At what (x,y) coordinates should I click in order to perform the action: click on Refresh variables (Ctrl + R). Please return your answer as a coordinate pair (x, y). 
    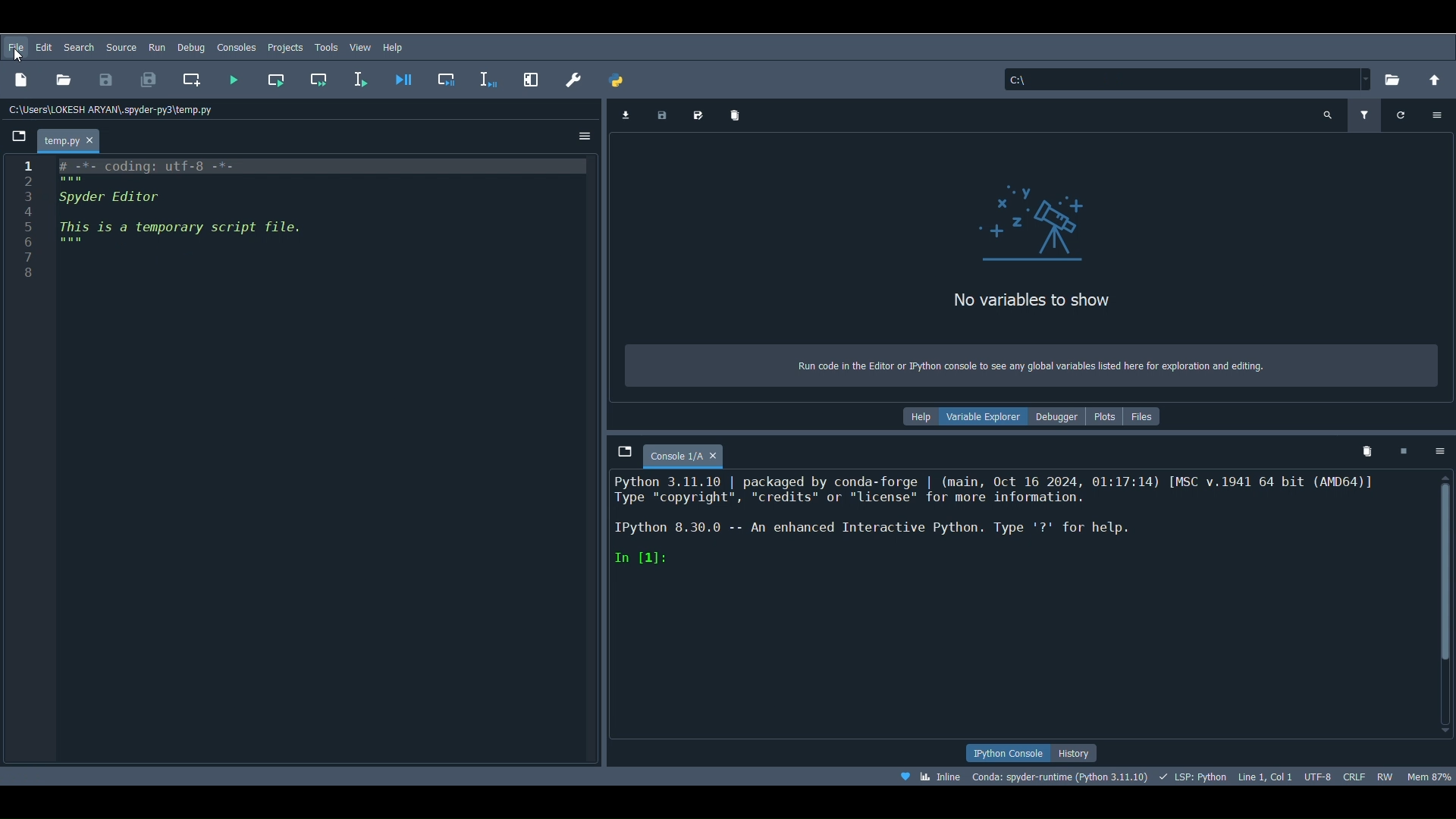
    Looking at the image, I should click on (1402, 114).